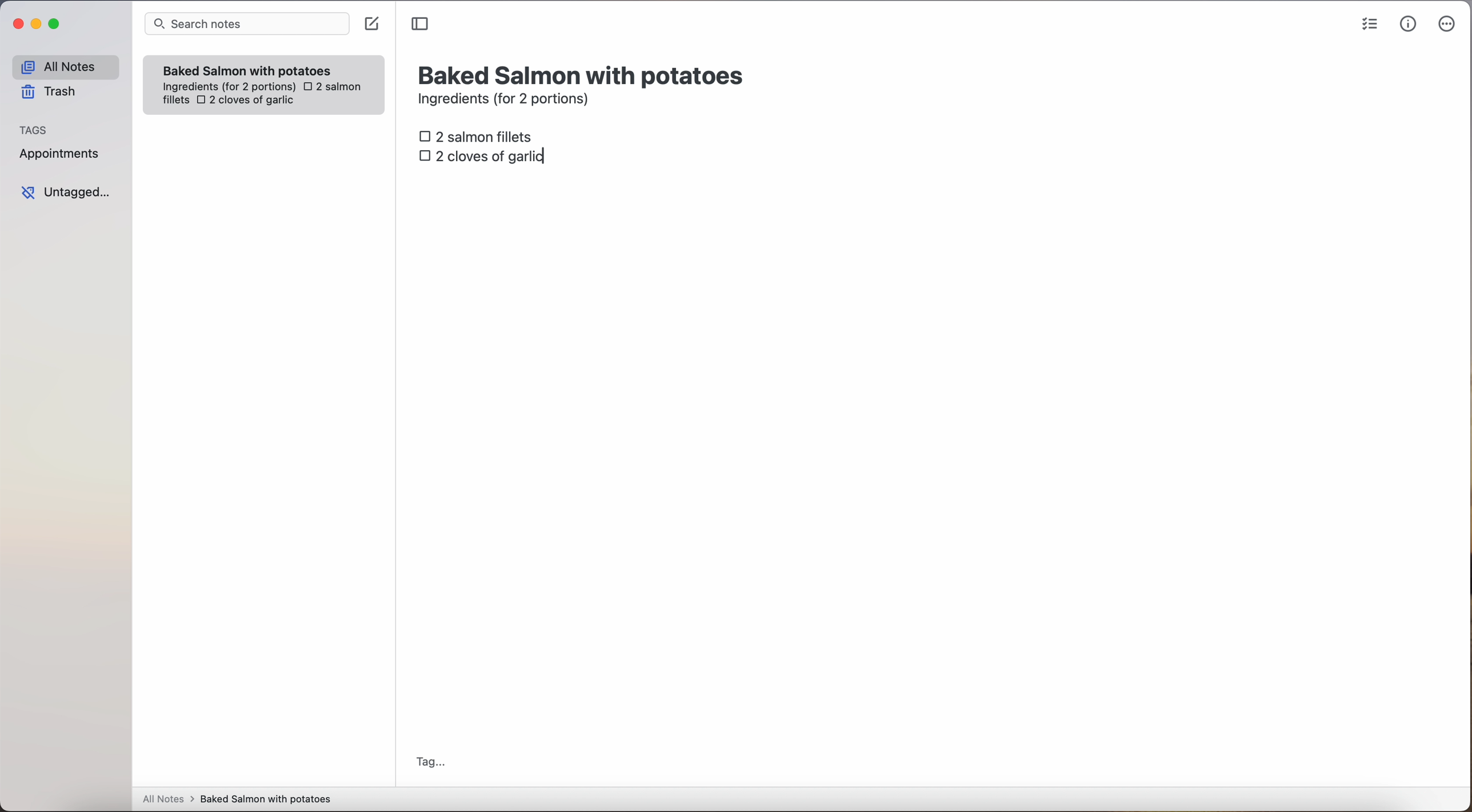 This screenshot has width=1472, height=812. What do you see at coordinates (247, 69) in the screenshot?
I see `Baked Salmon with potatoes` at bounding box center [247, 69].